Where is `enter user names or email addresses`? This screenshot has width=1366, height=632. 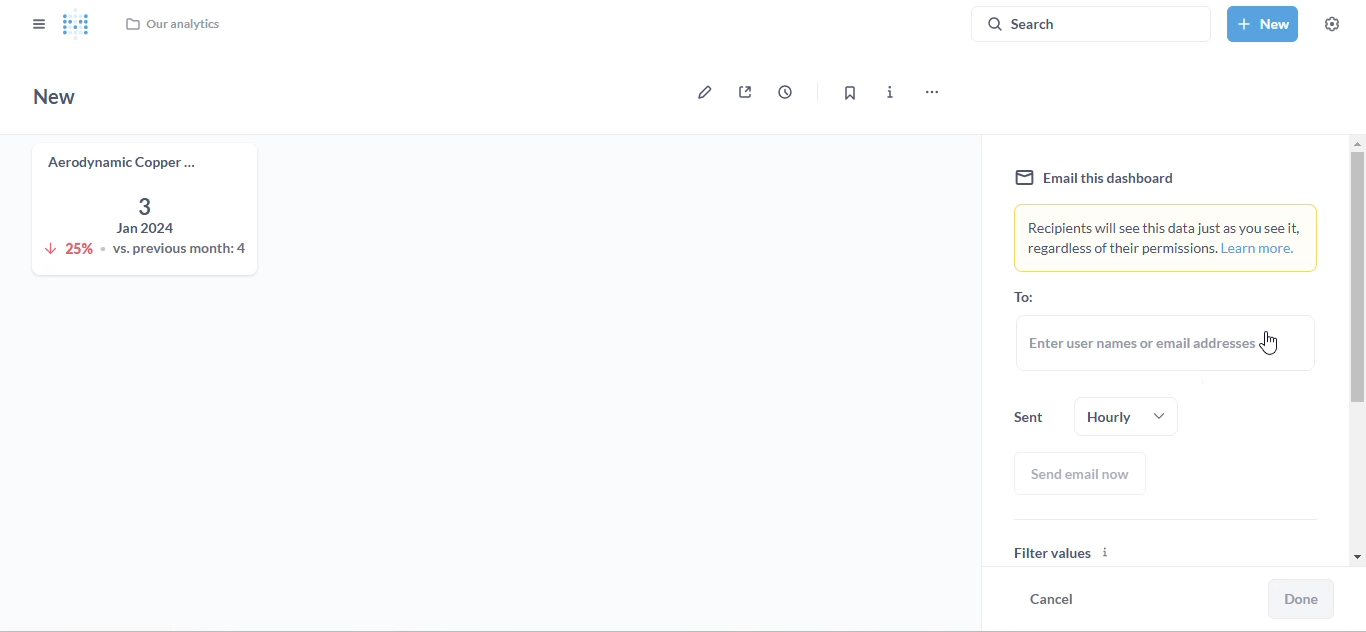 enter user names or email addresses is located at coordinates (1169, 343).